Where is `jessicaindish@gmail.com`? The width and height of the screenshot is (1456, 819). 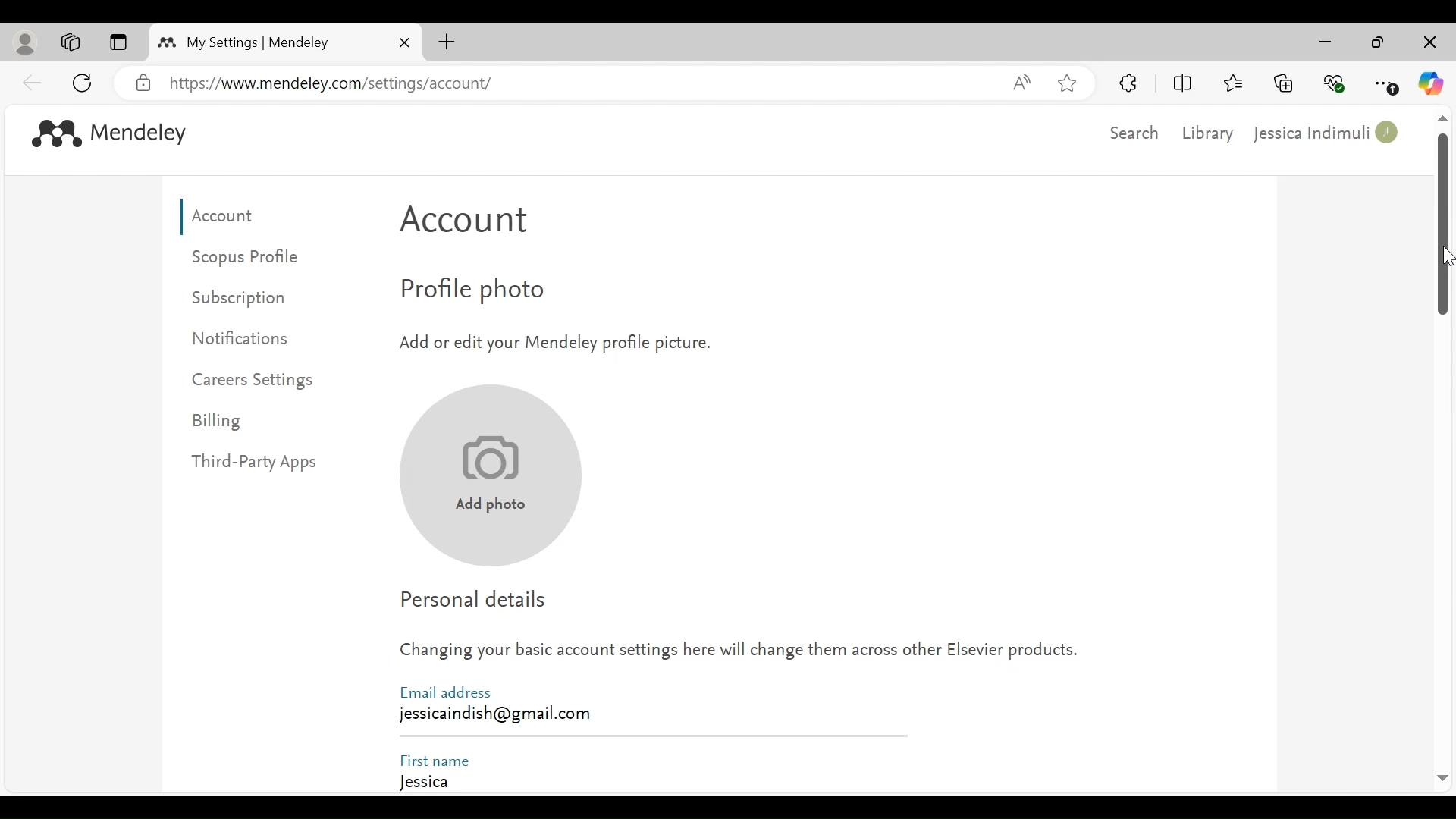
jessicaindish@gmail.com is located at coordinates (494, 714).